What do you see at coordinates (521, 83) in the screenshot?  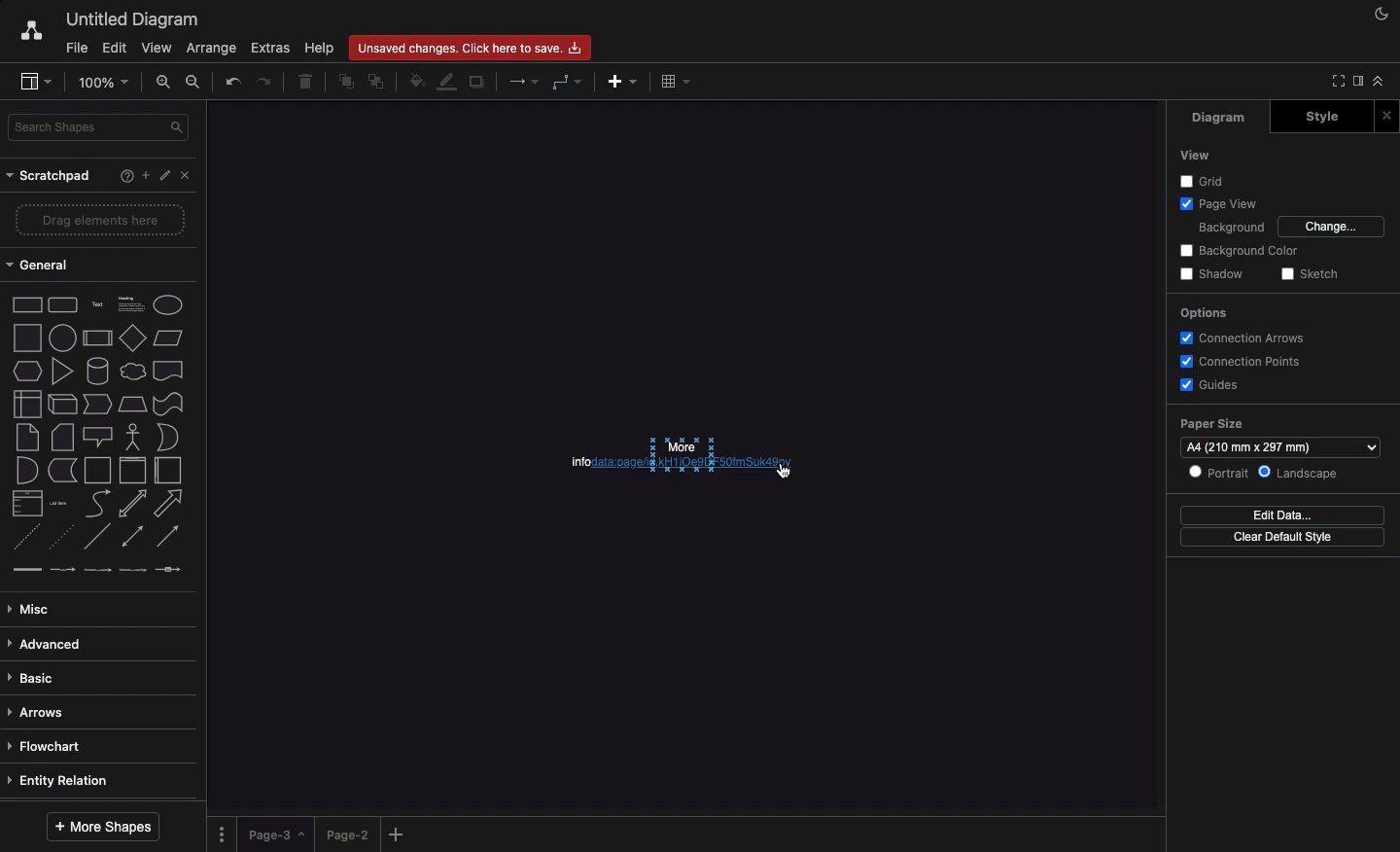 I see `Arrows` at bounding box center [521, 83].